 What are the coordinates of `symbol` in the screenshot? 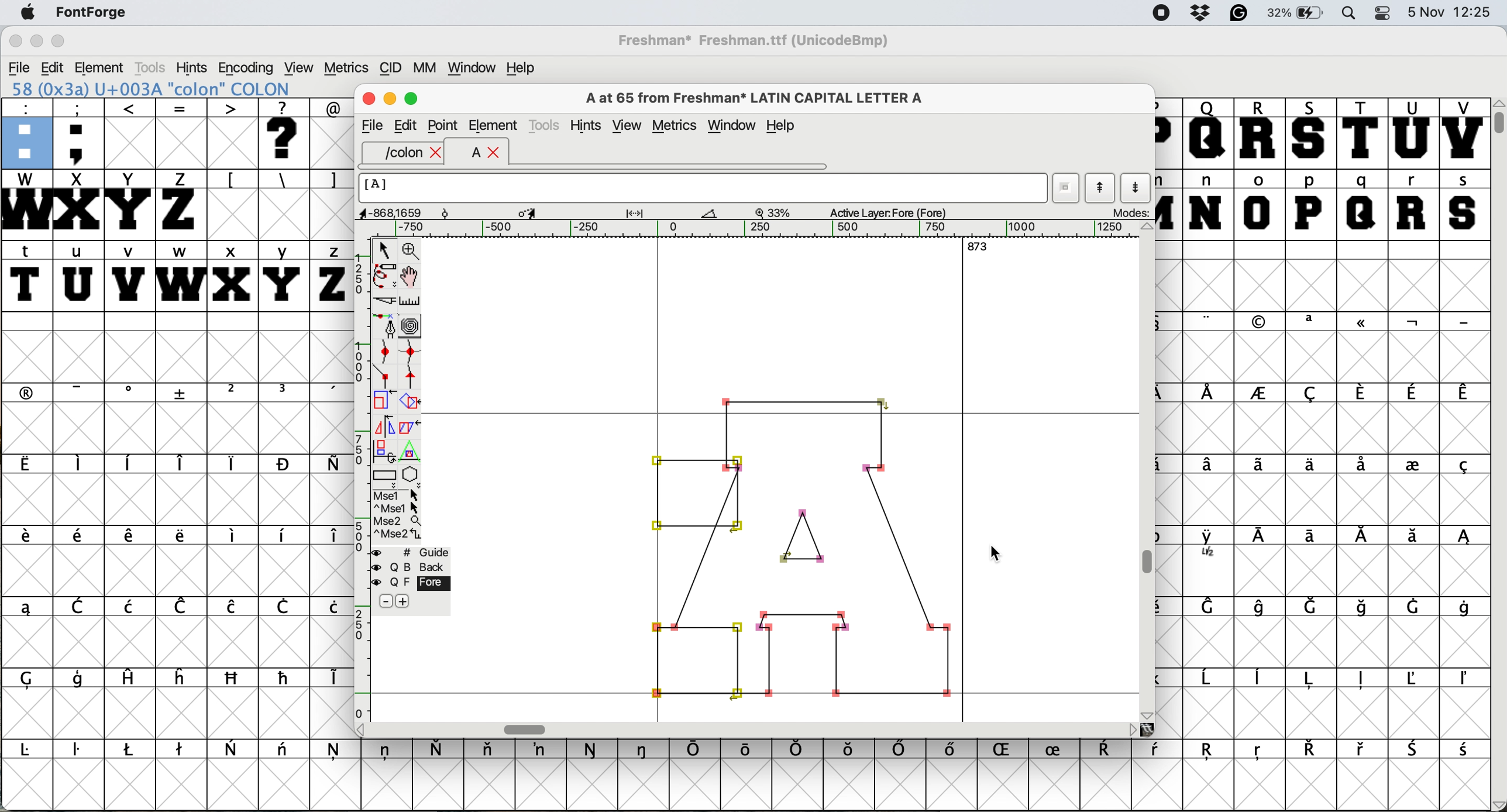 It's located at (232, 608).